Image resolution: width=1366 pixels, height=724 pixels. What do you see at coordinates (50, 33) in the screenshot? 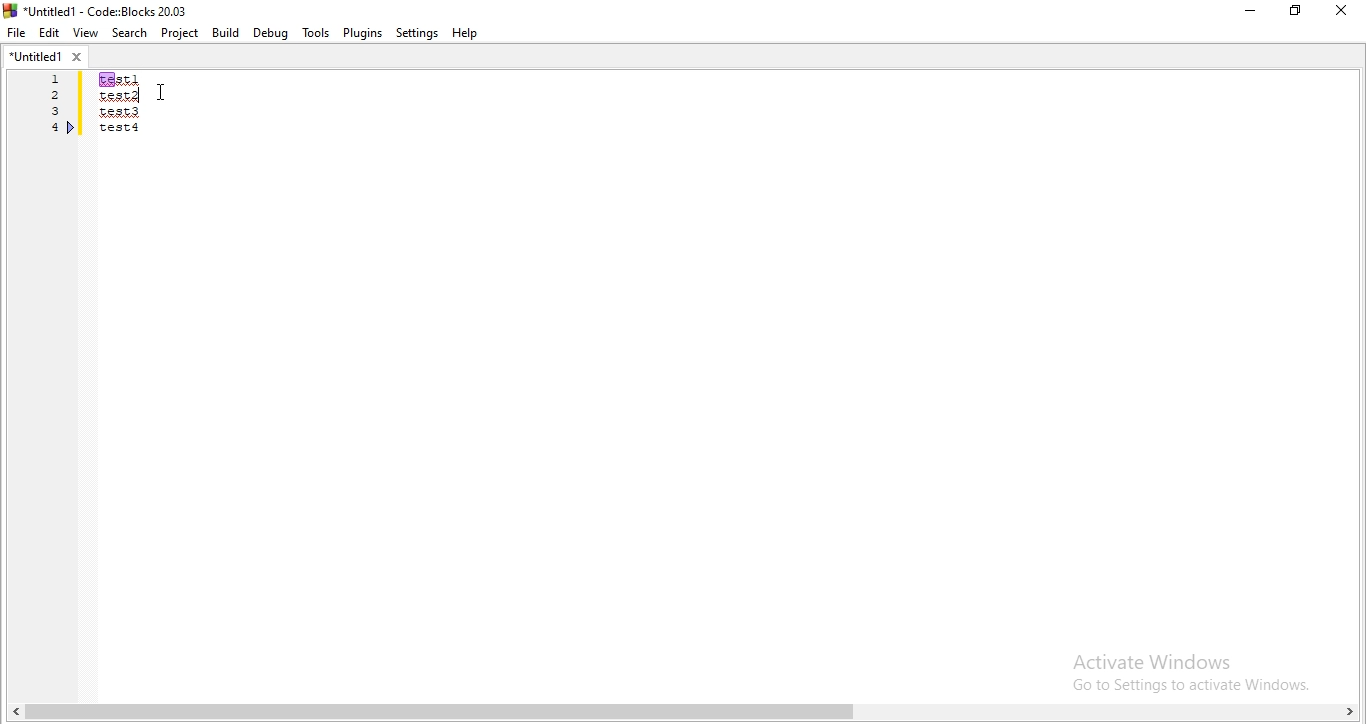
I see `Edit ` at bounding box center [50, 33].